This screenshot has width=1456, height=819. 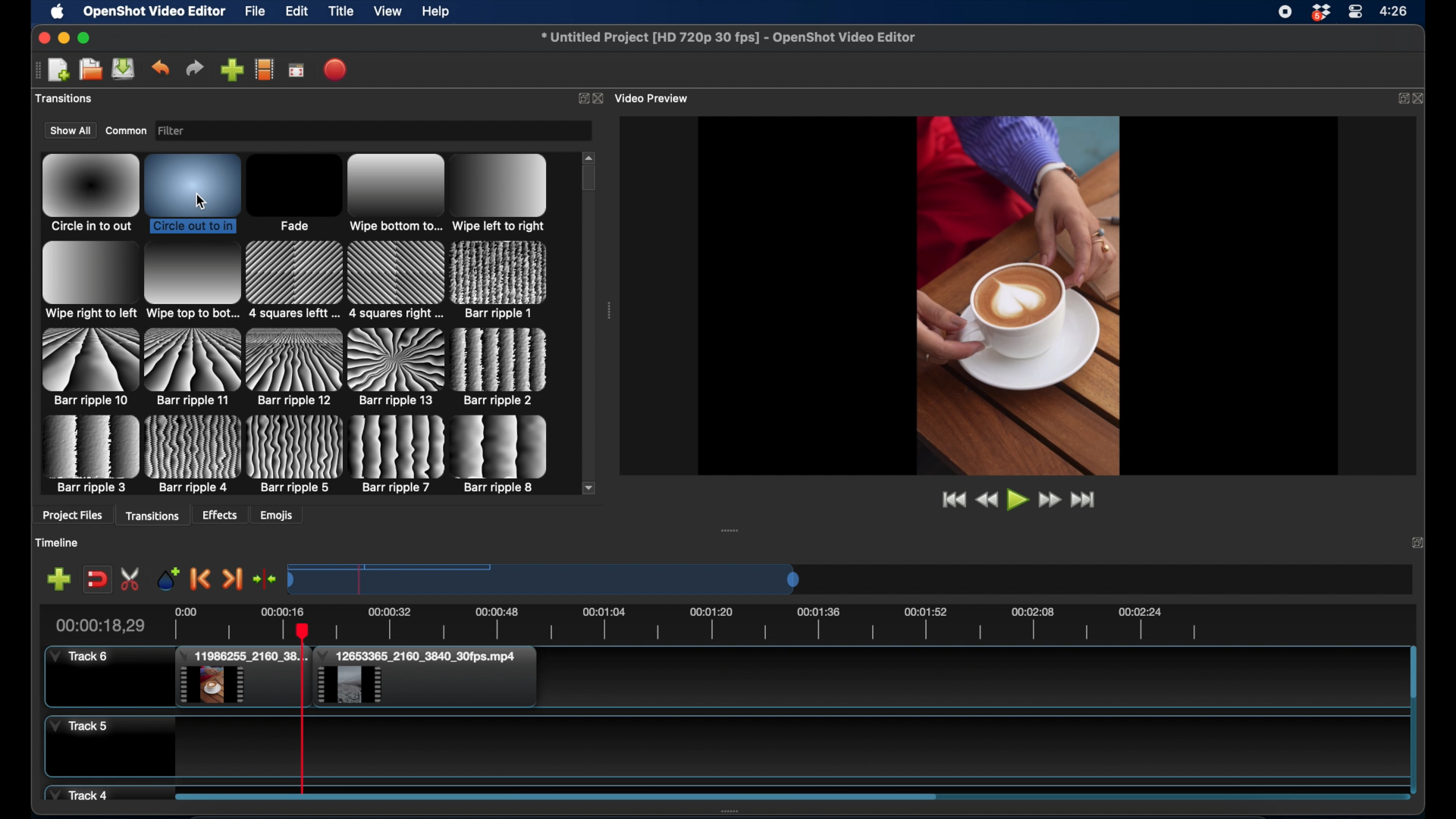 What do you see at coordinates (126, 130) in the screenshot?
I see `common` at bounding box center [126, 130].